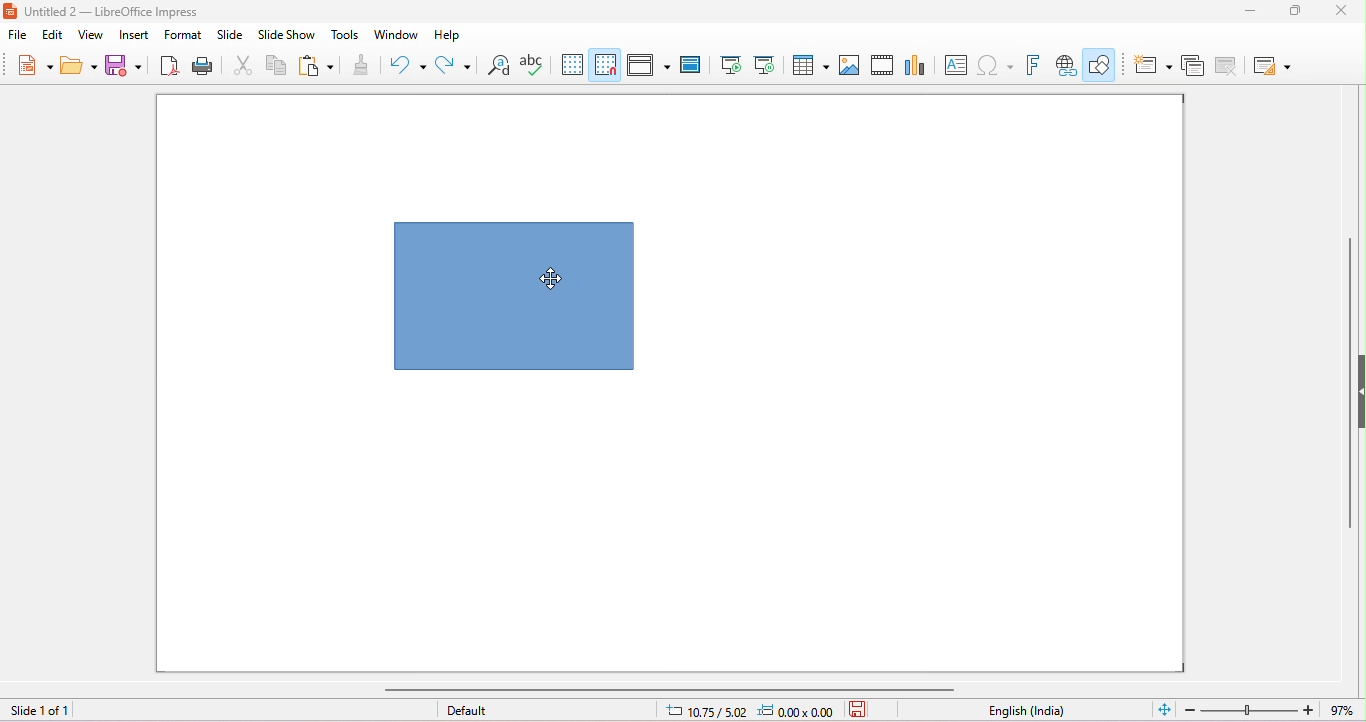 This screenshot has width=1366, height=722. Describe the element at coordinates (132, 34) in the screenshot. I see `insert` at that location.